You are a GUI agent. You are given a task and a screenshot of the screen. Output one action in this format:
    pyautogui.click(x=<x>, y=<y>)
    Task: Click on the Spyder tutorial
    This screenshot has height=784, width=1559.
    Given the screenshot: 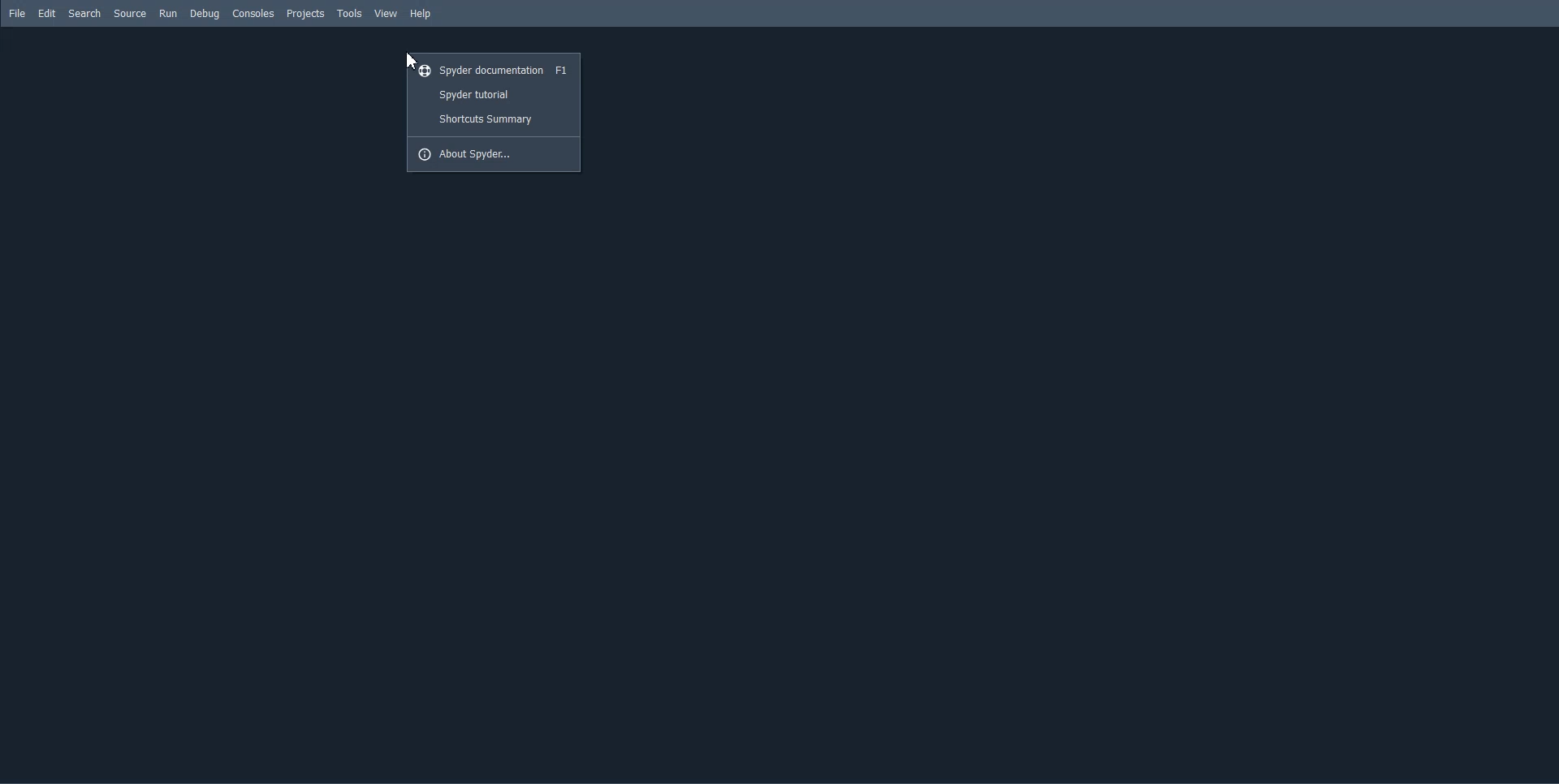 What is the action you would take?
    pyautogui.click(x=494, y=94)
    